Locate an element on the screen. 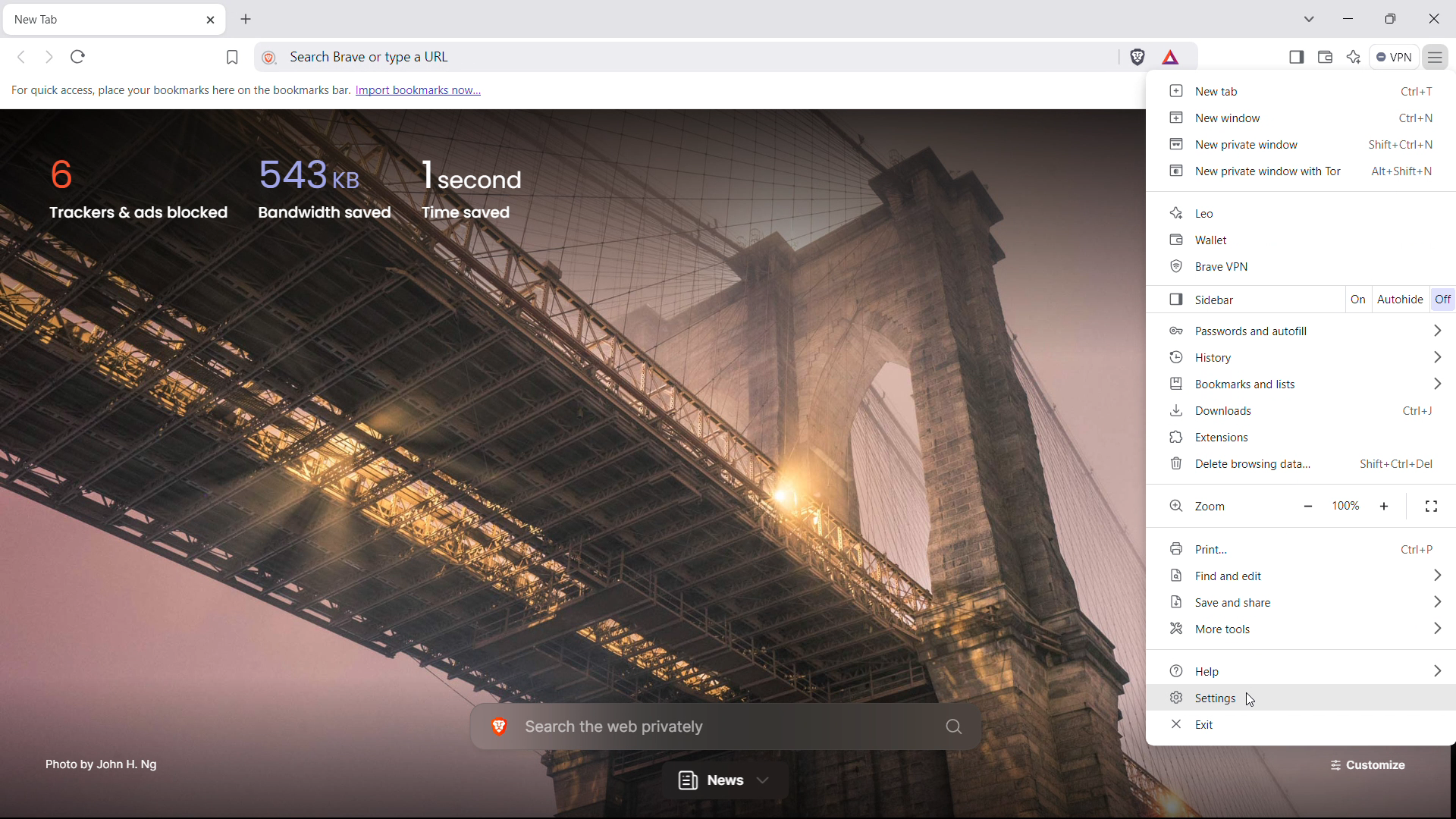  help is located at coordinates (1303, 670).